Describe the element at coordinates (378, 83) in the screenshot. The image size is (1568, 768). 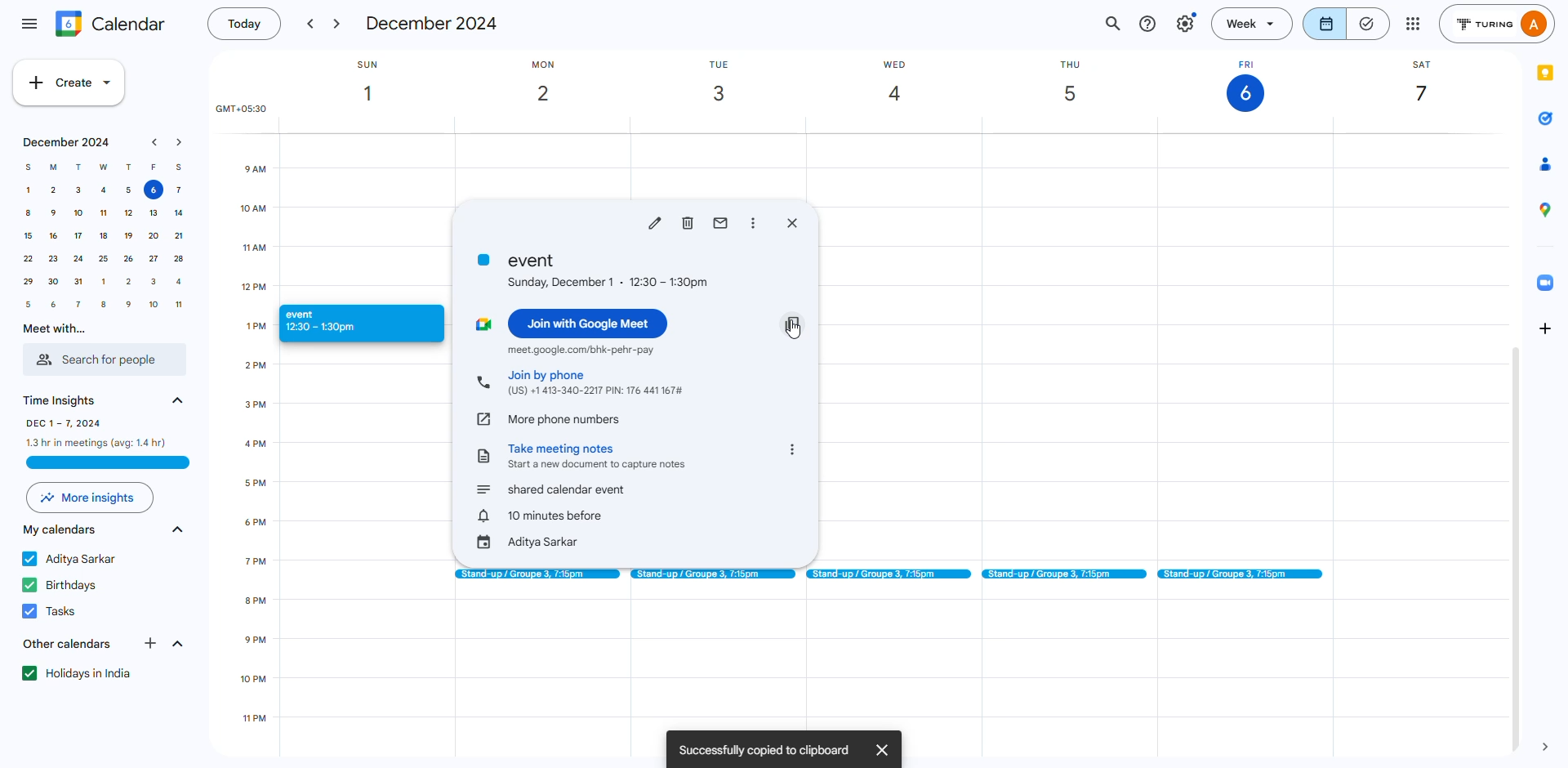
I see `sun 1` at that location.